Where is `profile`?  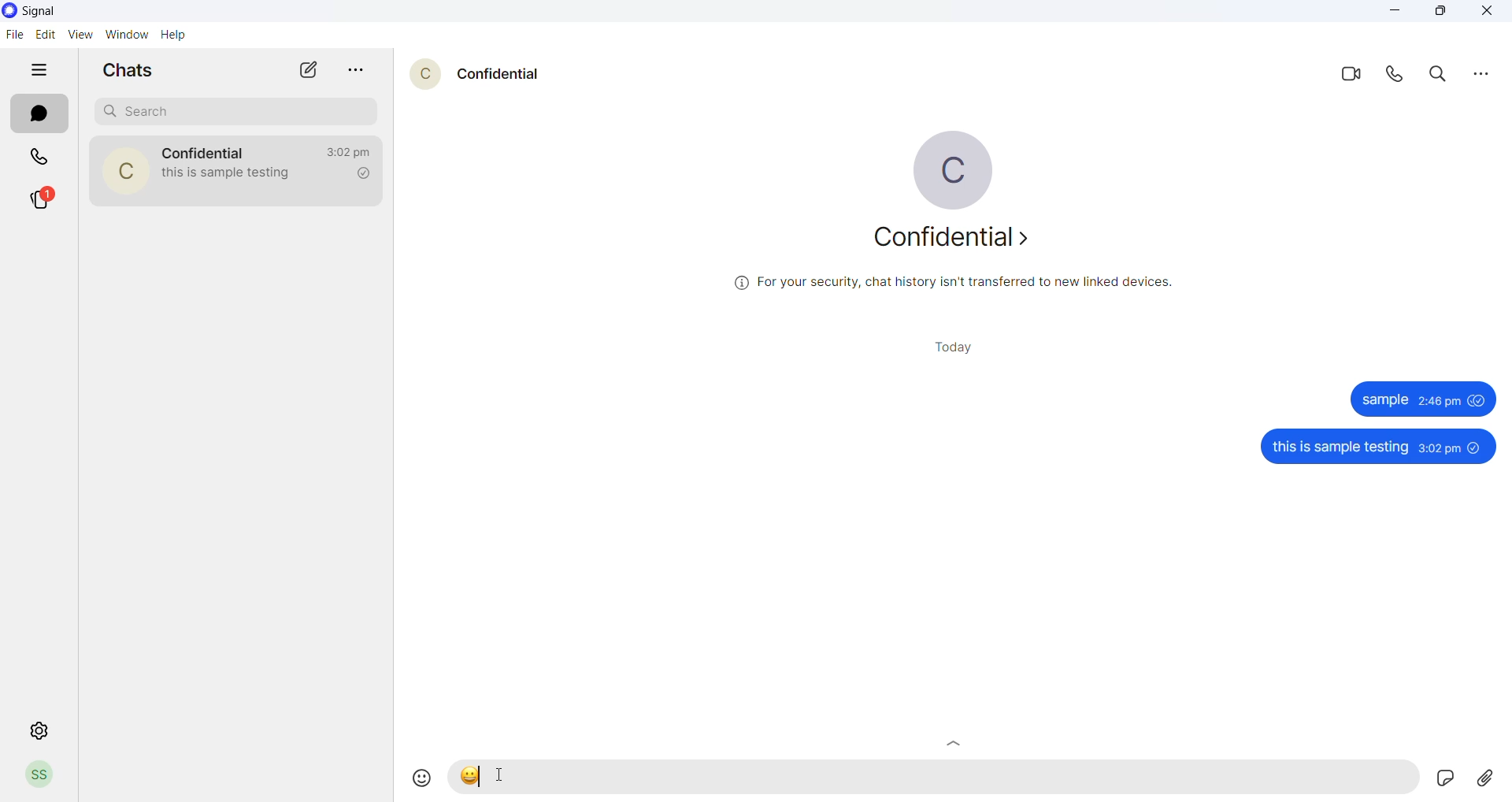
profile is located at coordinates (42, 775).